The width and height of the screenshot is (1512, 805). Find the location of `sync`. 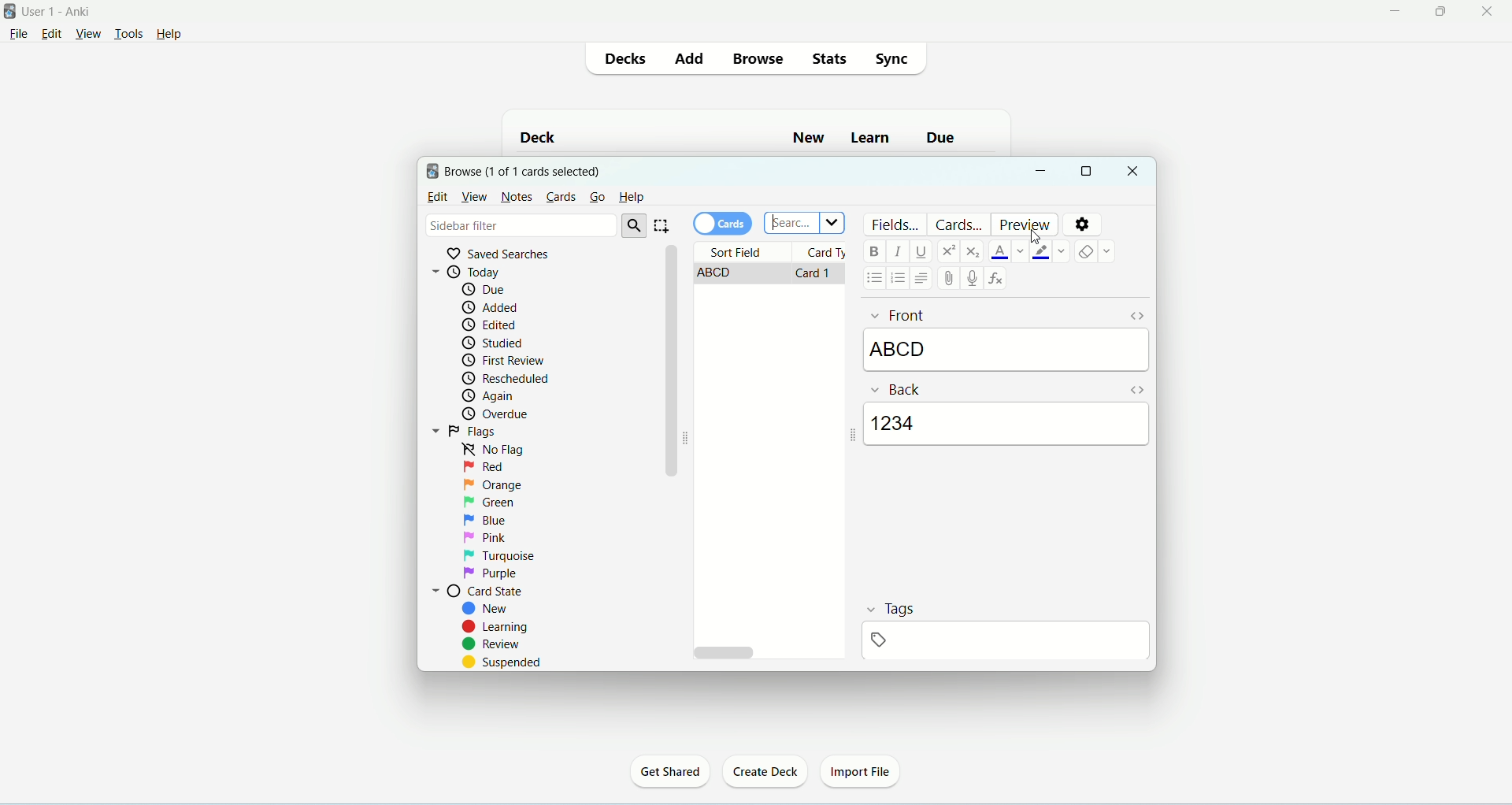

sync is located at coordinates (895, 59).